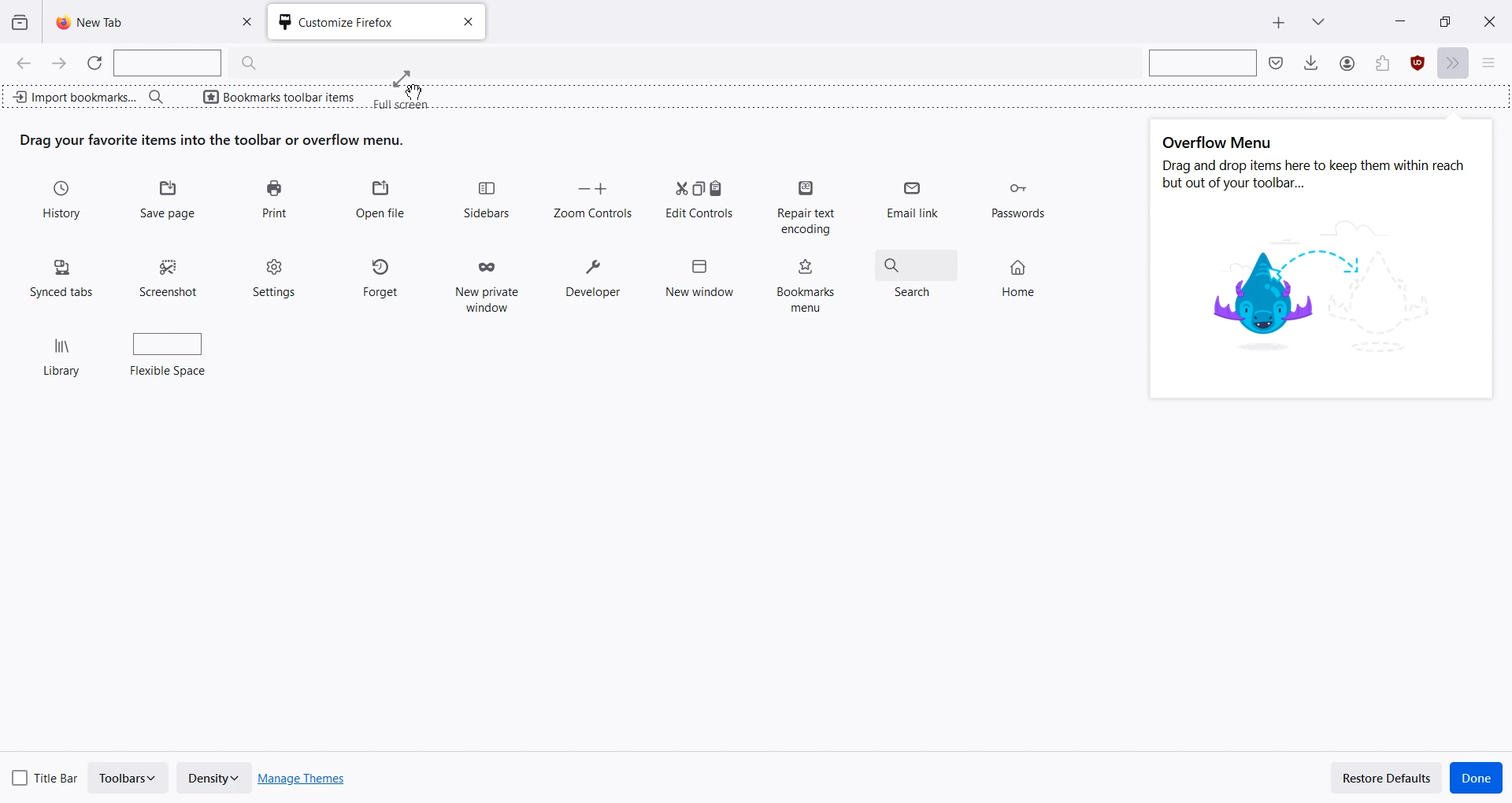 This screenshot has height=803, width=1512. Describe the element at coordinates (46, 775) in the screenshot. I see `Title Bar` at that location.